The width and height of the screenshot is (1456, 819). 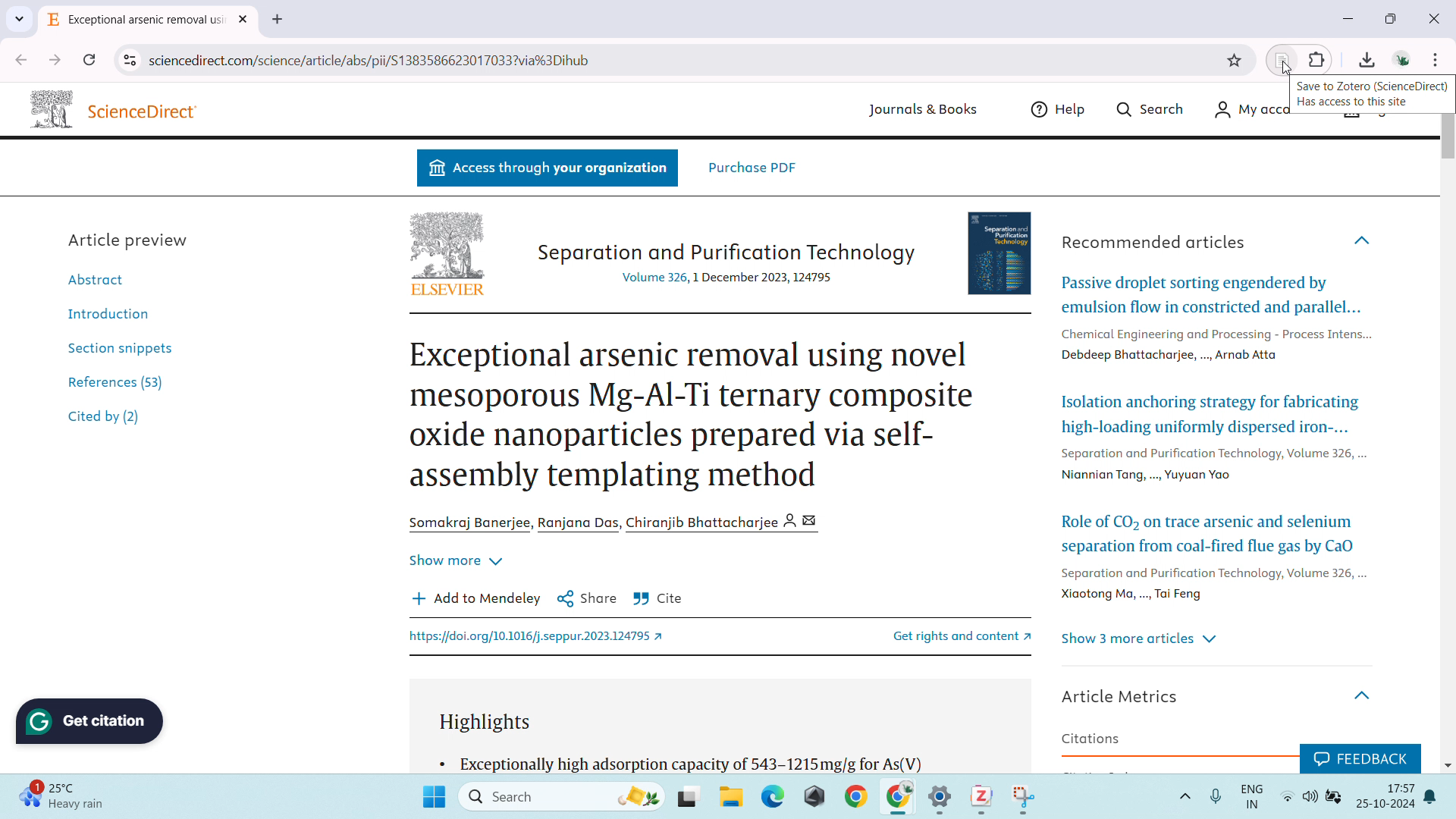 I want to click on maximize, so click(x=1395, y=19).